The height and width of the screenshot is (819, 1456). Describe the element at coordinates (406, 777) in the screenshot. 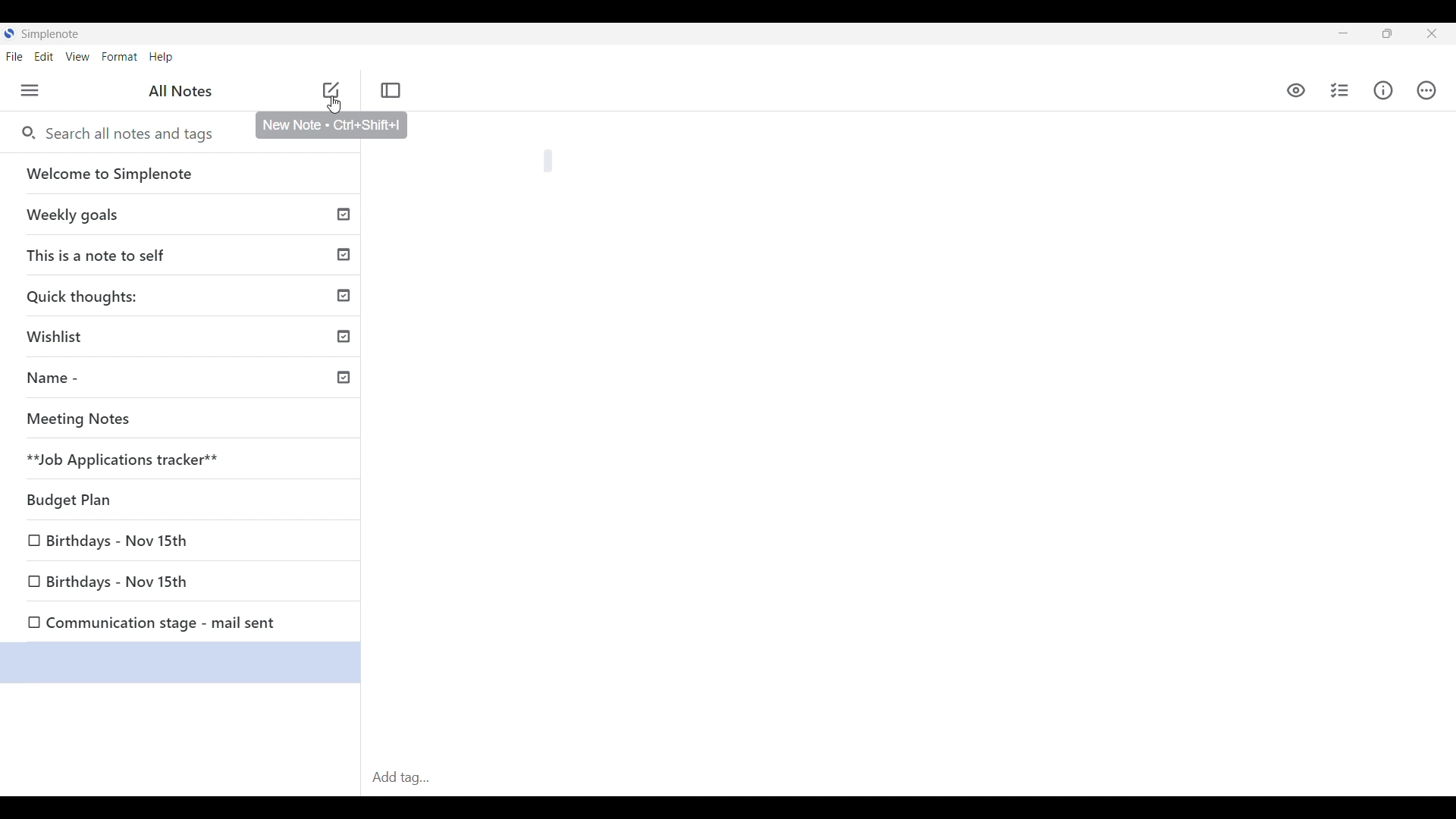

I see `Add tag...` at that location.